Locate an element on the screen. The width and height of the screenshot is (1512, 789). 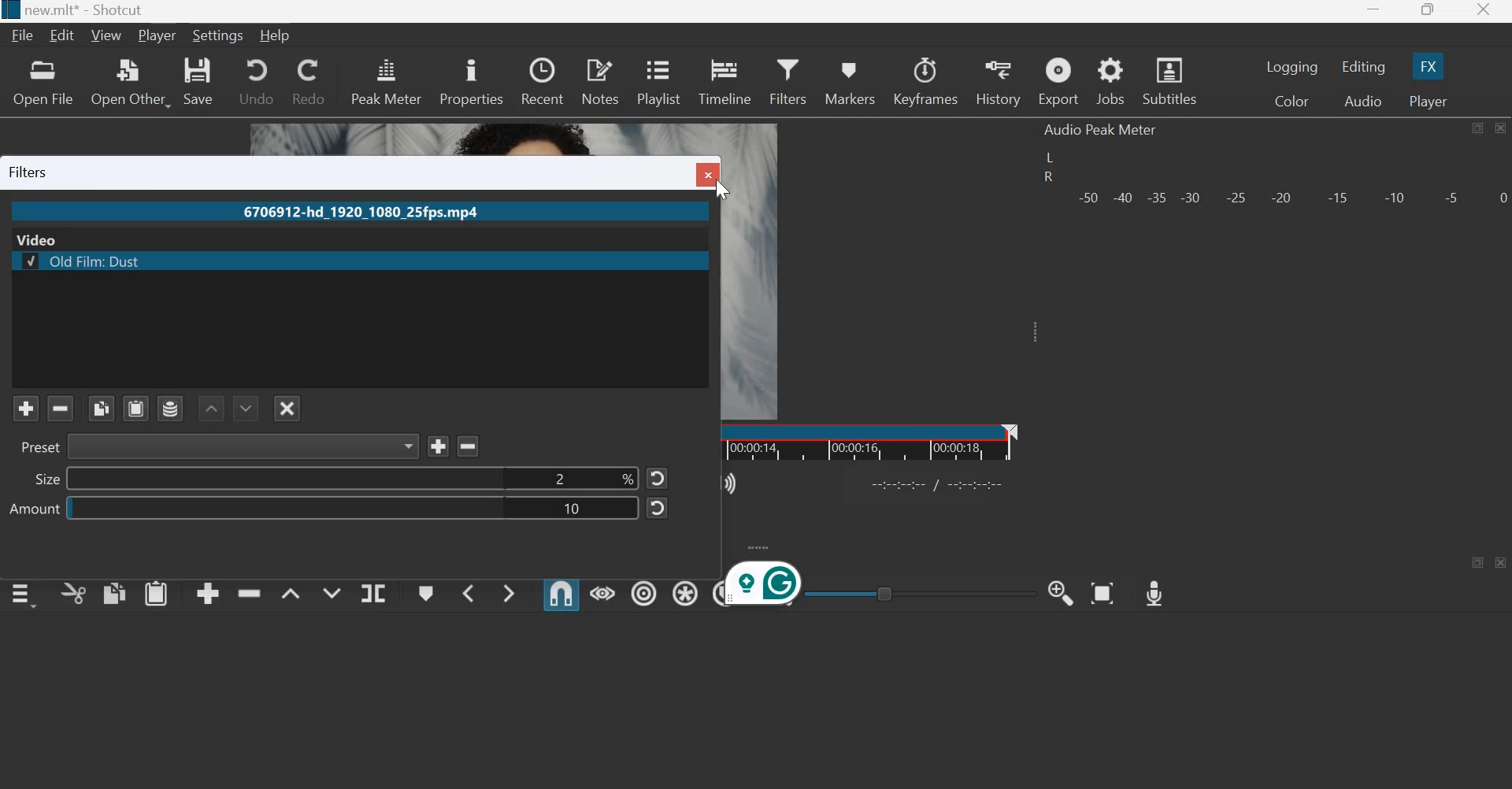
toggle is located at coordinates (921, 591).